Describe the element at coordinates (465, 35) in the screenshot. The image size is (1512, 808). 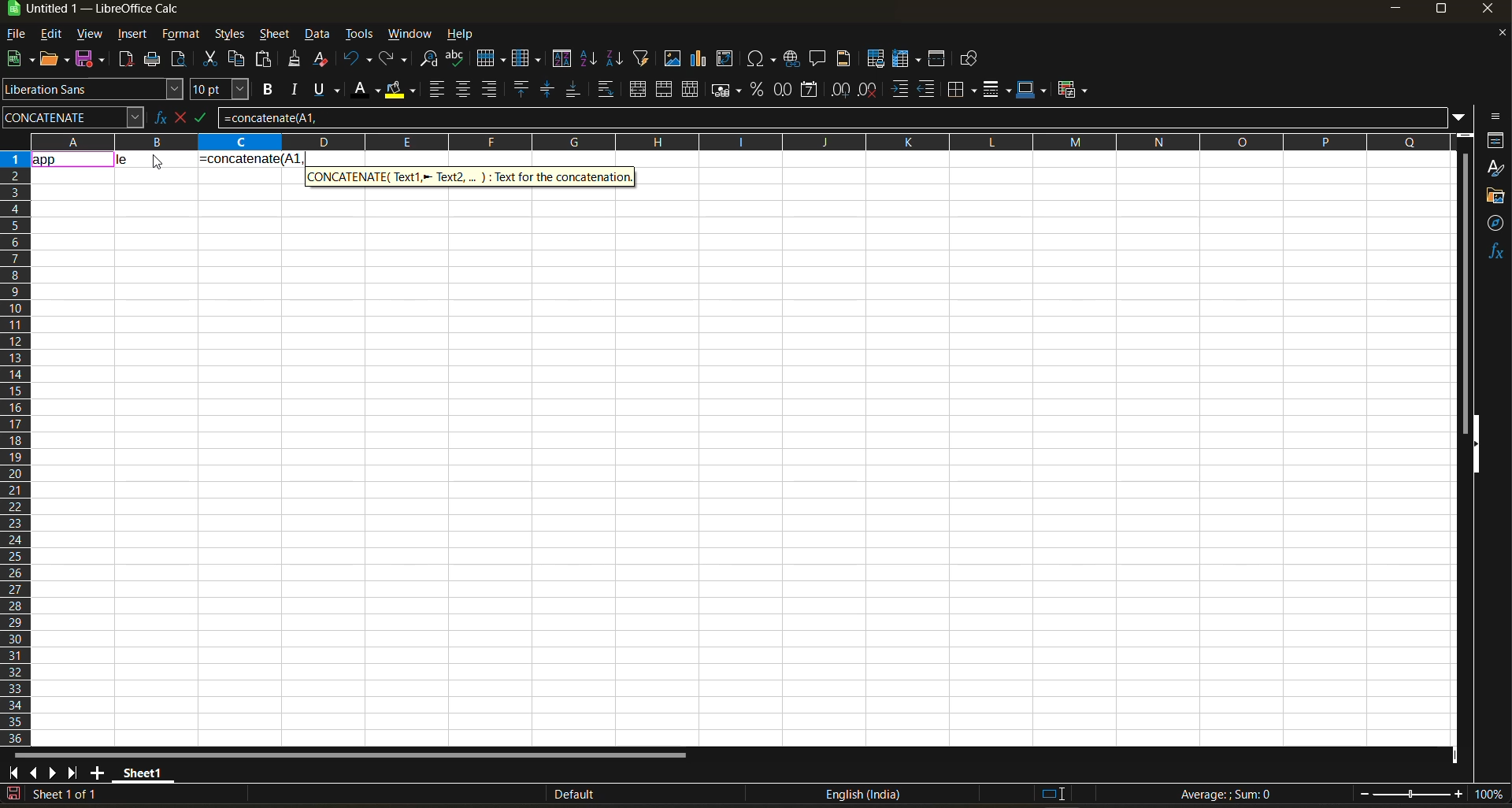
I see `help` at that location.